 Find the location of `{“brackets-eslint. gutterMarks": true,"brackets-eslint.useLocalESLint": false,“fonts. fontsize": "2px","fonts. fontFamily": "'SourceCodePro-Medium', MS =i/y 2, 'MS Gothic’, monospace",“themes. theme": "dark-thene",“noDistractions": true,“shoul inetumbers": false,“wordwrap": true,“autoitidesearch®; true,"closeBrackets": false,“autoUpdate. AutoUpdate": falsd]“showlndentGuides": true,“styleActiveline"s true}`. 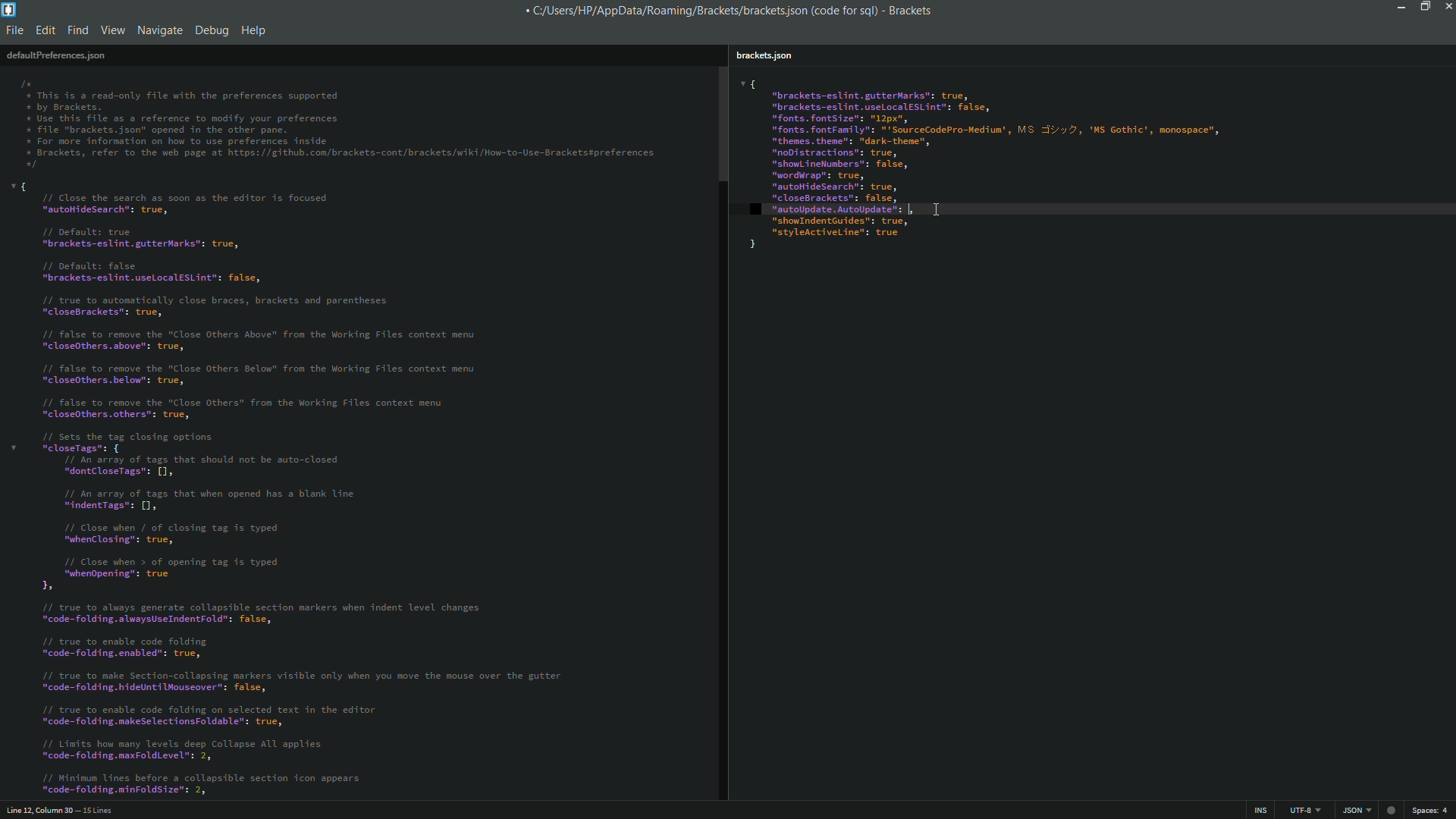

{“brackets-eslint. gutterMarks": true,"brackets-eslint.useLocalESLint": false,“fonts. fontsize": "2px","fonts. fontFamily": "'SourceCodePro-Medium', MS =i/y 2, 'MS Gothic’, monospace",“themes. theme": "dark-thene",“noDistractions": true,“shoul inetumbers": false,“wordwrap": true,“autoitidesearch®; true,"closeBrackets": false,“autoUpdate. AutoUpdate": falsd]“showlndentGuides": true,“styleActiveline"s true} is located at coordinates (1093, 162).